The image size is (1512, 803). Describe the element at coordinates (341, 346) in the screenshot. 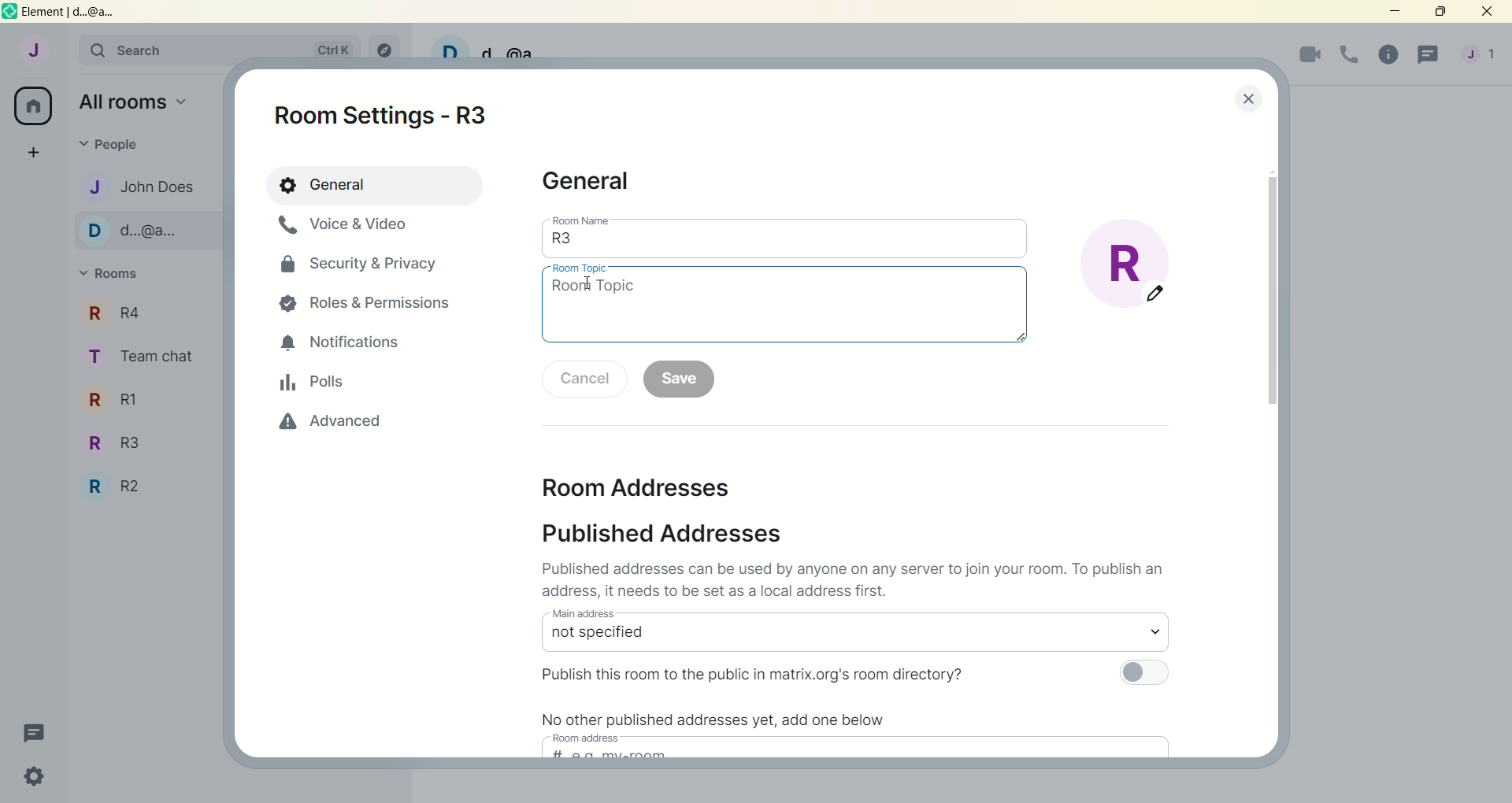

I see `notifications` at that location.